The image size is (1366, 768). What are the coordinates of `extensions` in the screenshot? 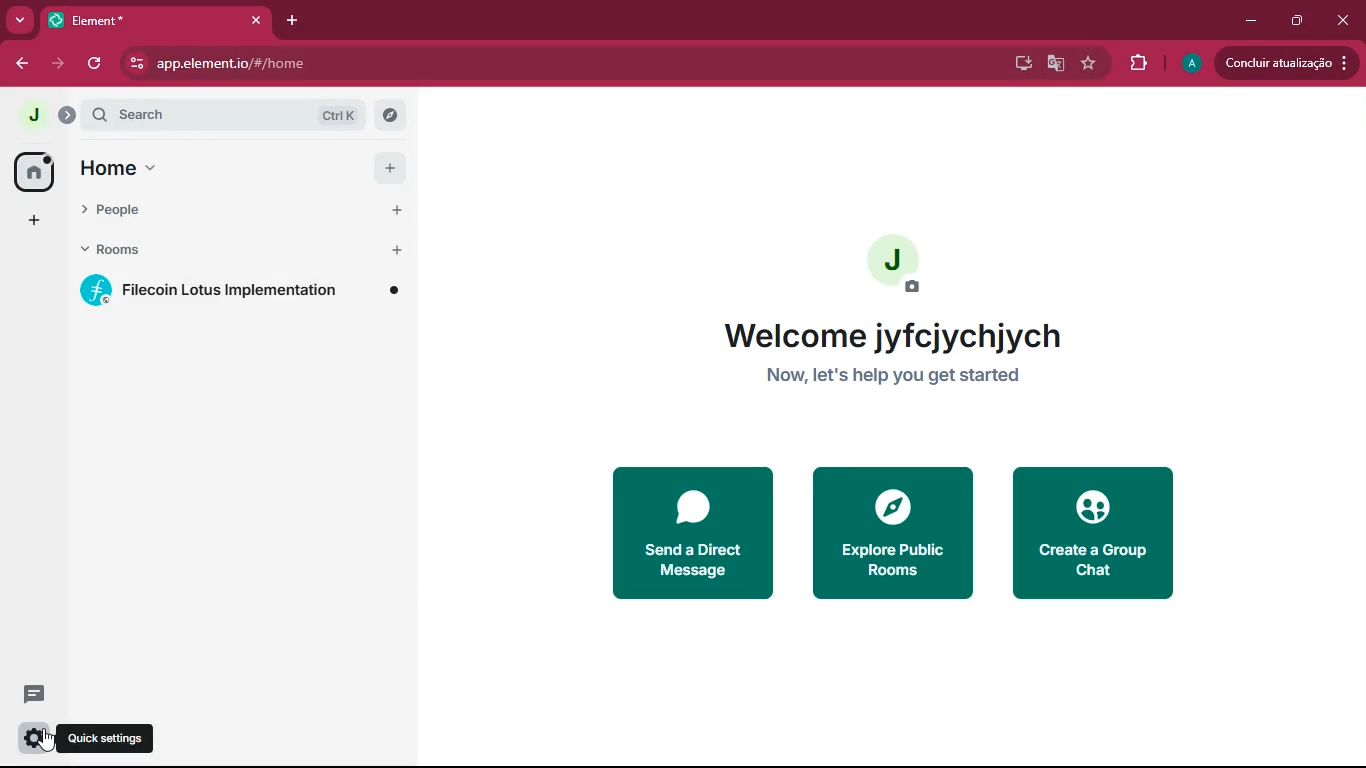 It's located at (1138, 61).